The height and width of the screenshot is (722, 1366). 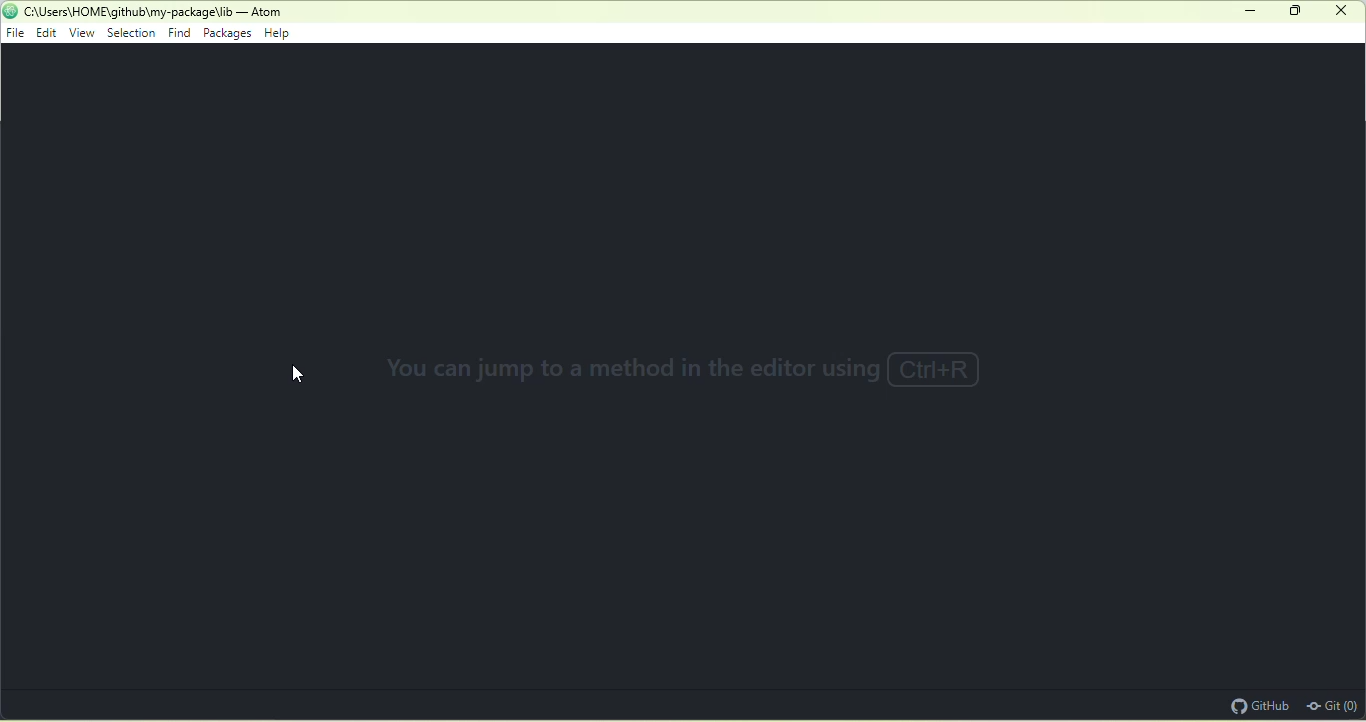 I want to click on help, so click(x=283, y=35).